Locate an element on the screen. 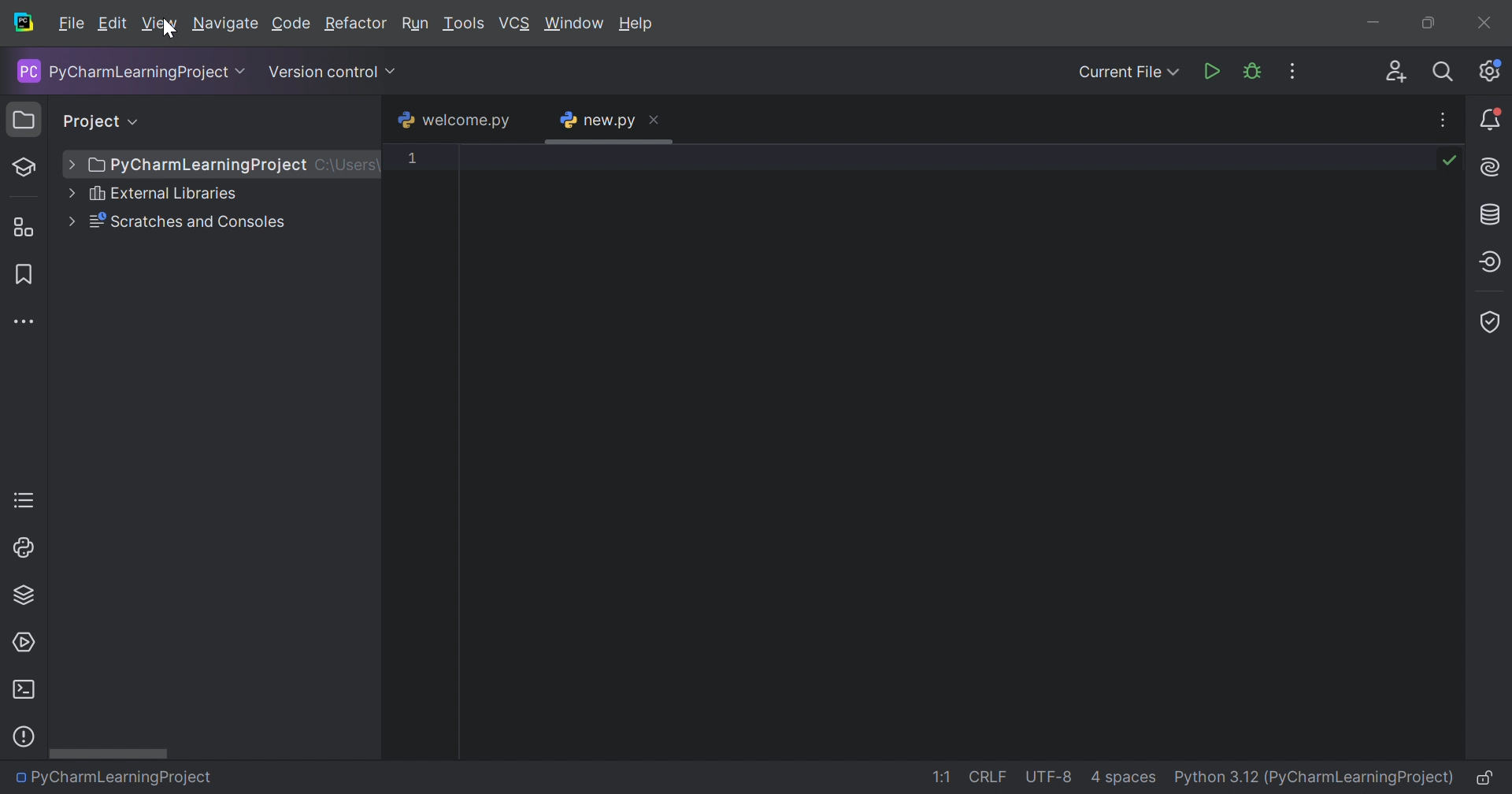 Image resolution: width=1512 pixels, height=794 pixels. Run is located at coordinates (417, 24).